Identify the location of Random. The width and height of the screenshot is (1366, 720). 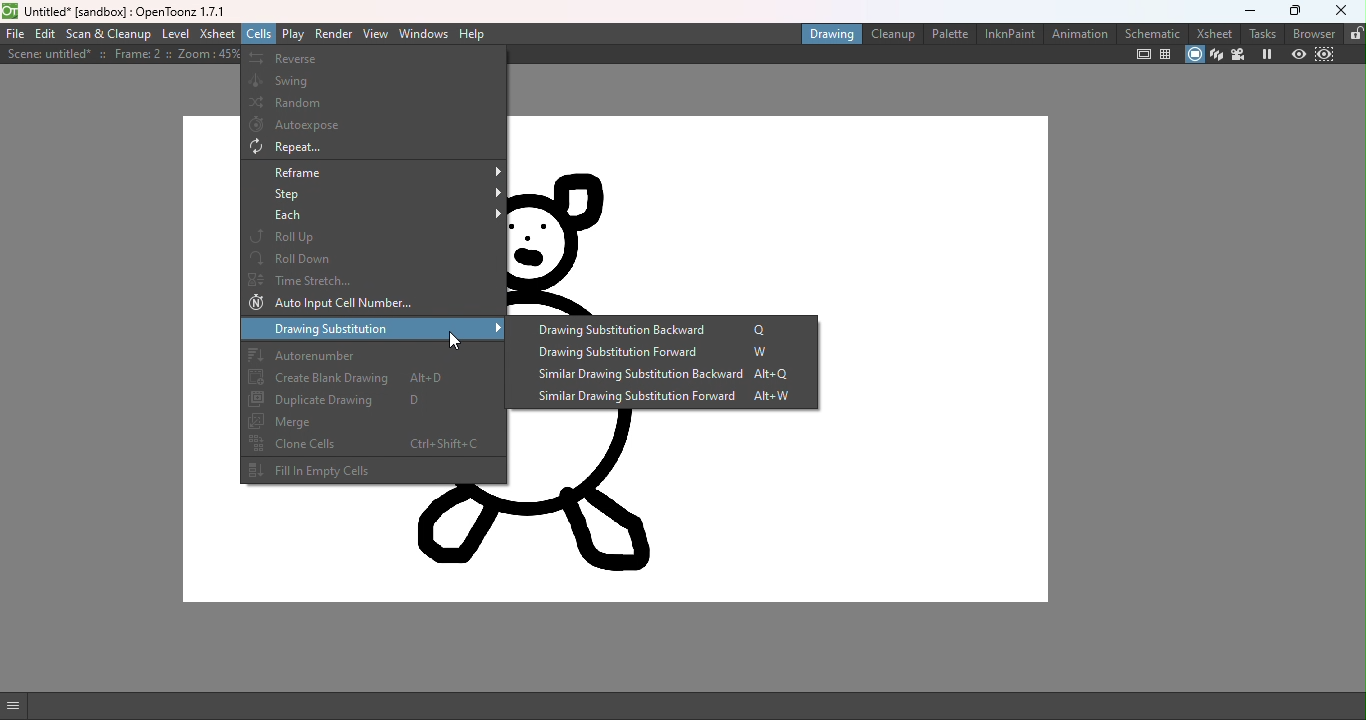
(373, 102).